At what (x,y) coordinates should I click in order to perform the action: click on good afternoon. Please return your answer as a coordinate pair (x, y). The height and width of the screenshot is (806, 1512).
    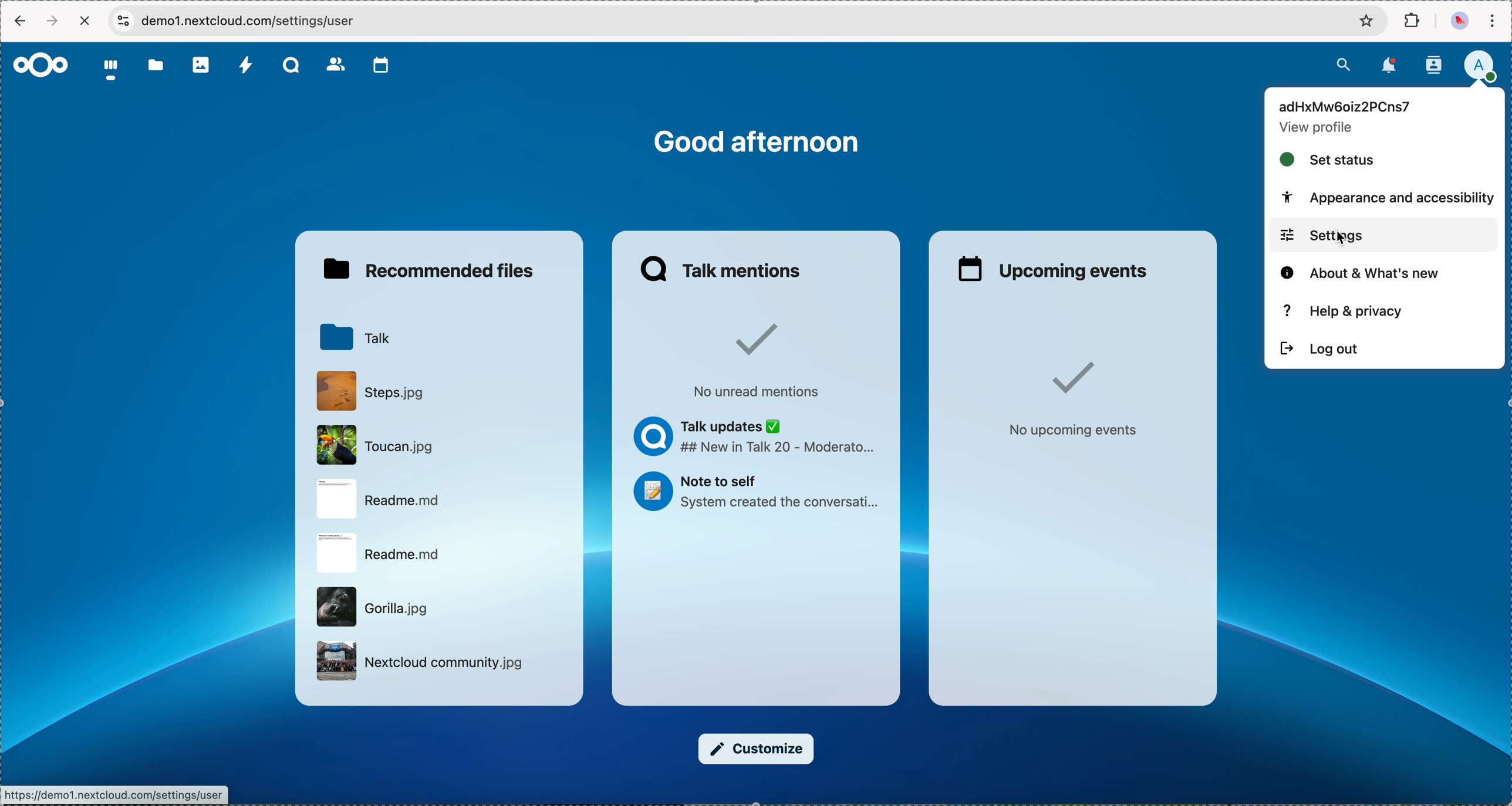
    Looking at the image, I should click on (757, 141).